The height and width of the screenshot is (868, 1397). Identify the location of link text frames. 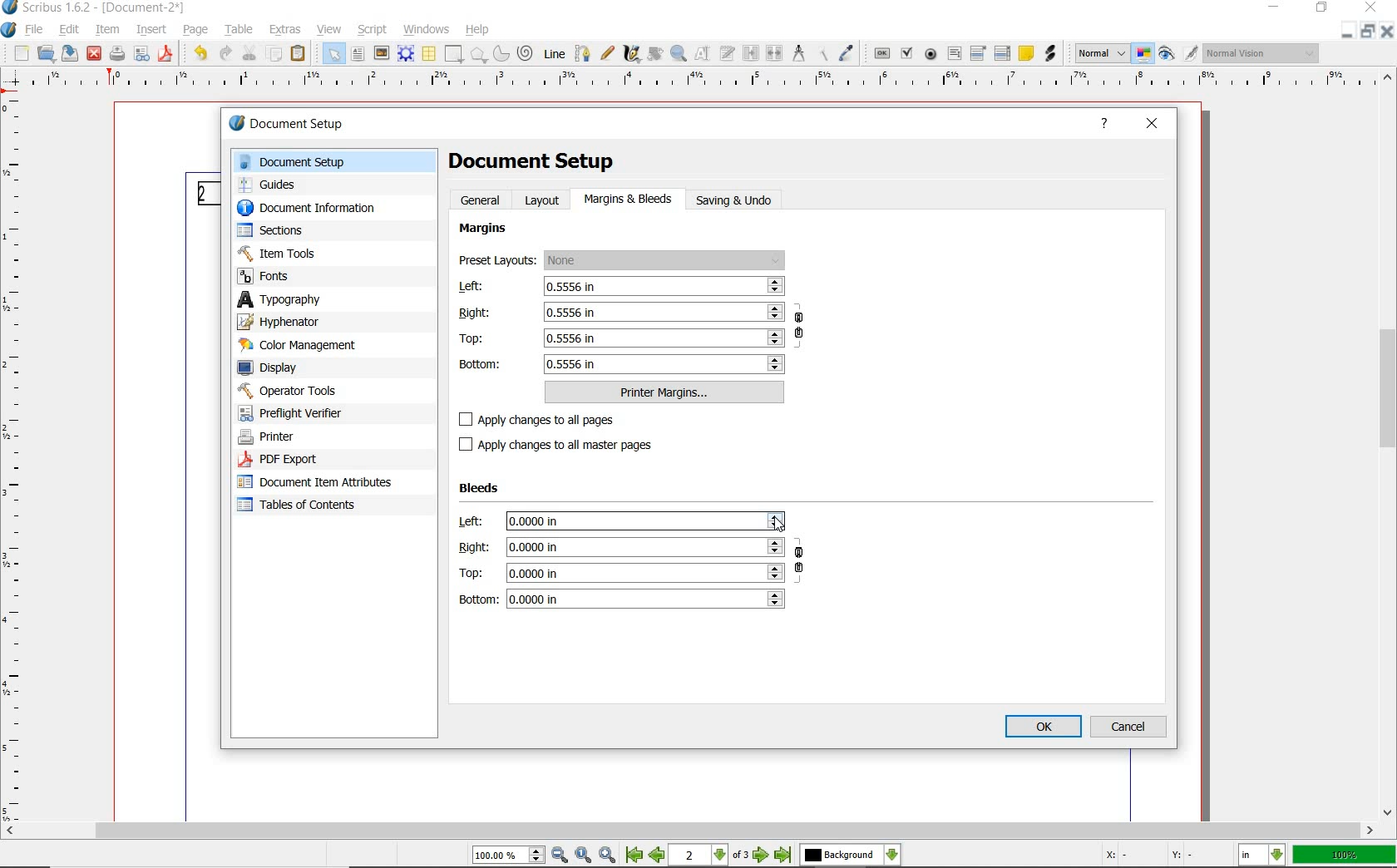
(751, 53).